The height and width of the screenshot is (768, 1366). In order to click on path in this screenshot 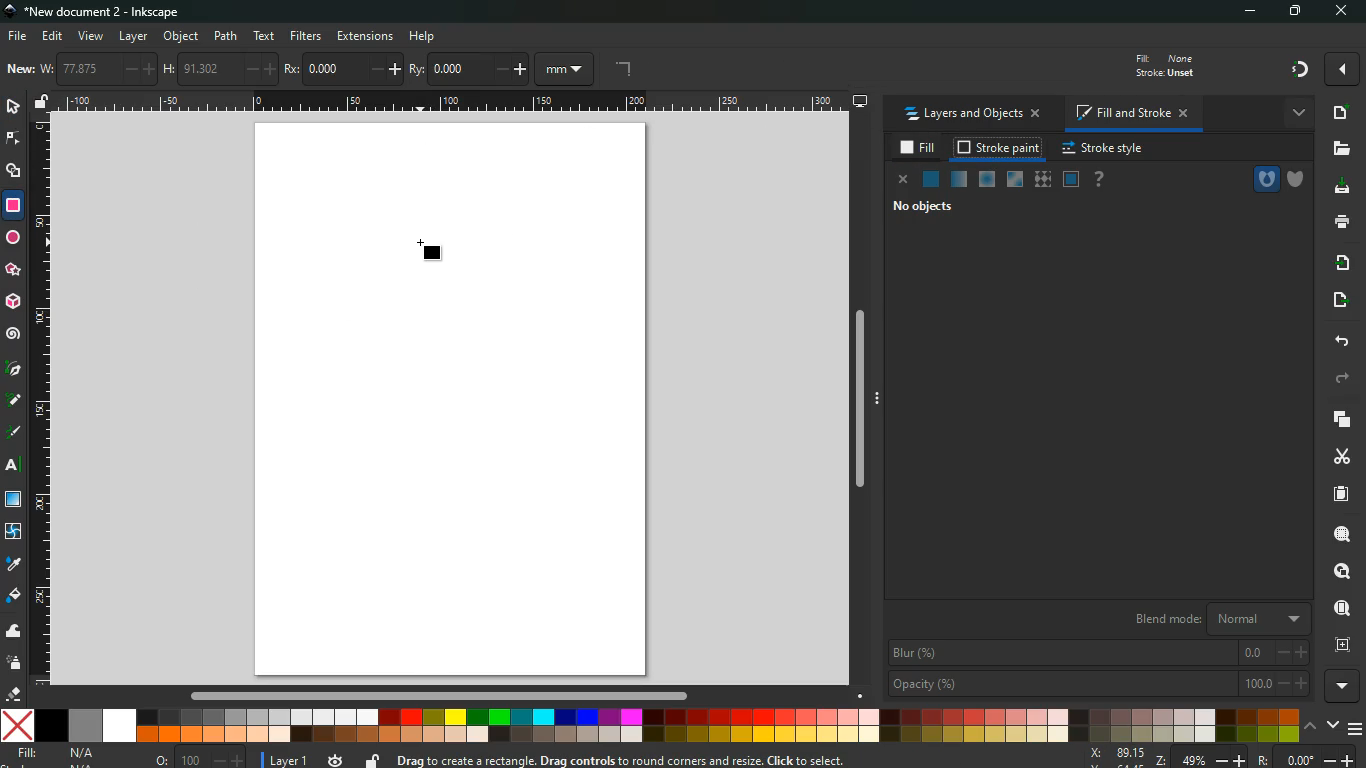, I will do `click(228, 34)`.